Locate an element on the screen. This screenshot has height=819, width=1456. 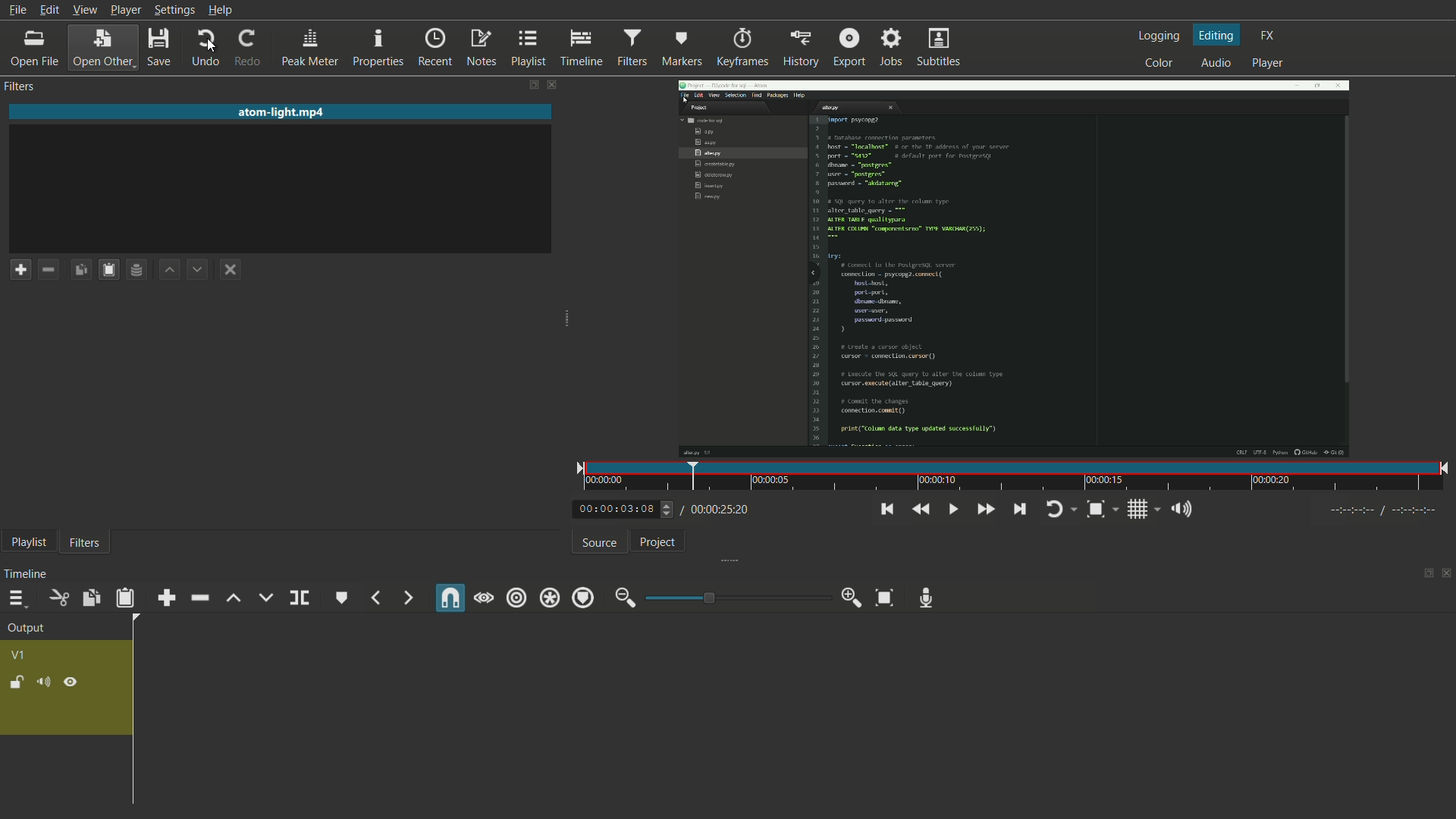
notes is located at coordinates (485, 49).